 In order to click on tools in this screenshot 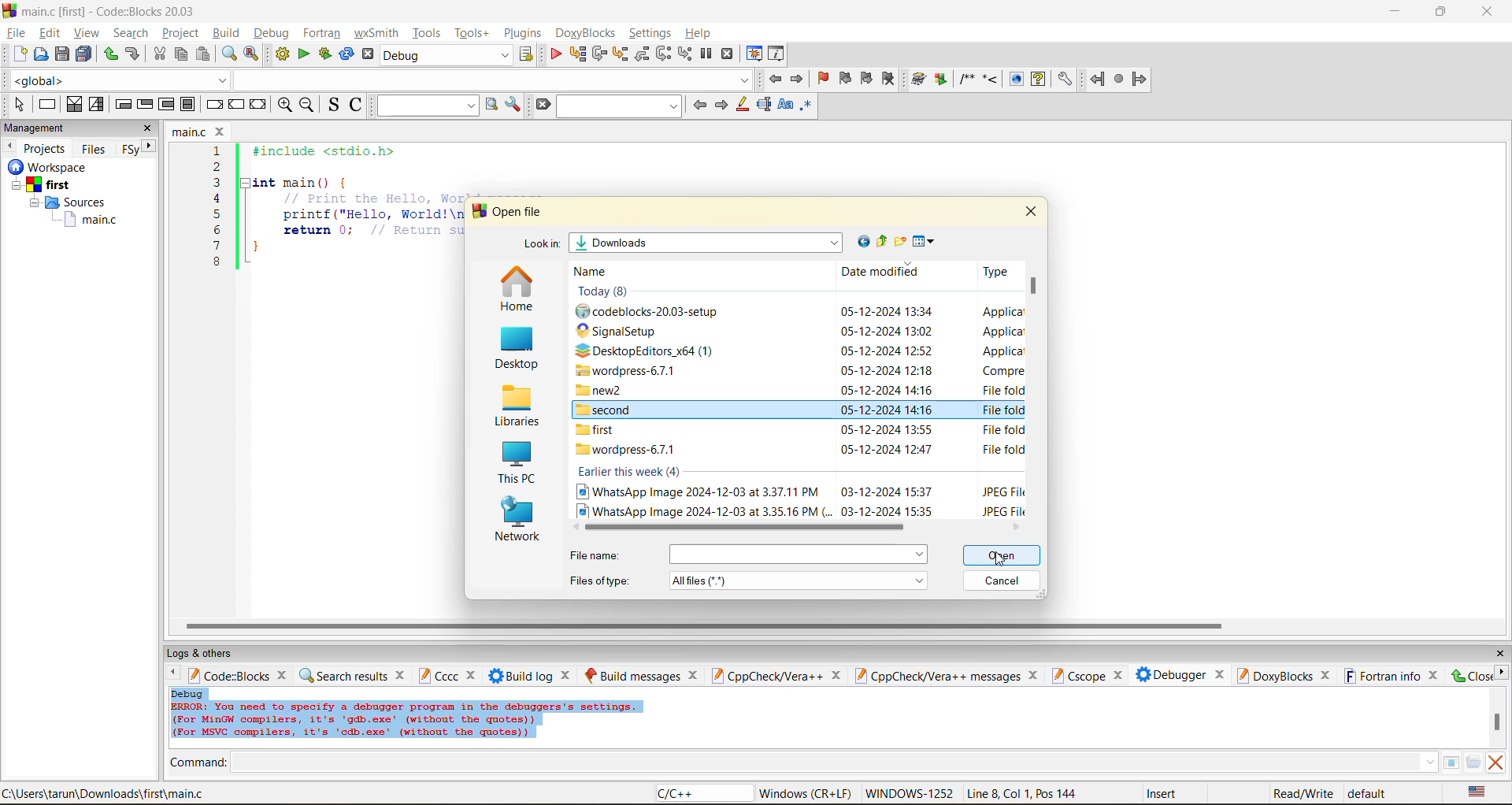, I will do `click(428, 32)`.